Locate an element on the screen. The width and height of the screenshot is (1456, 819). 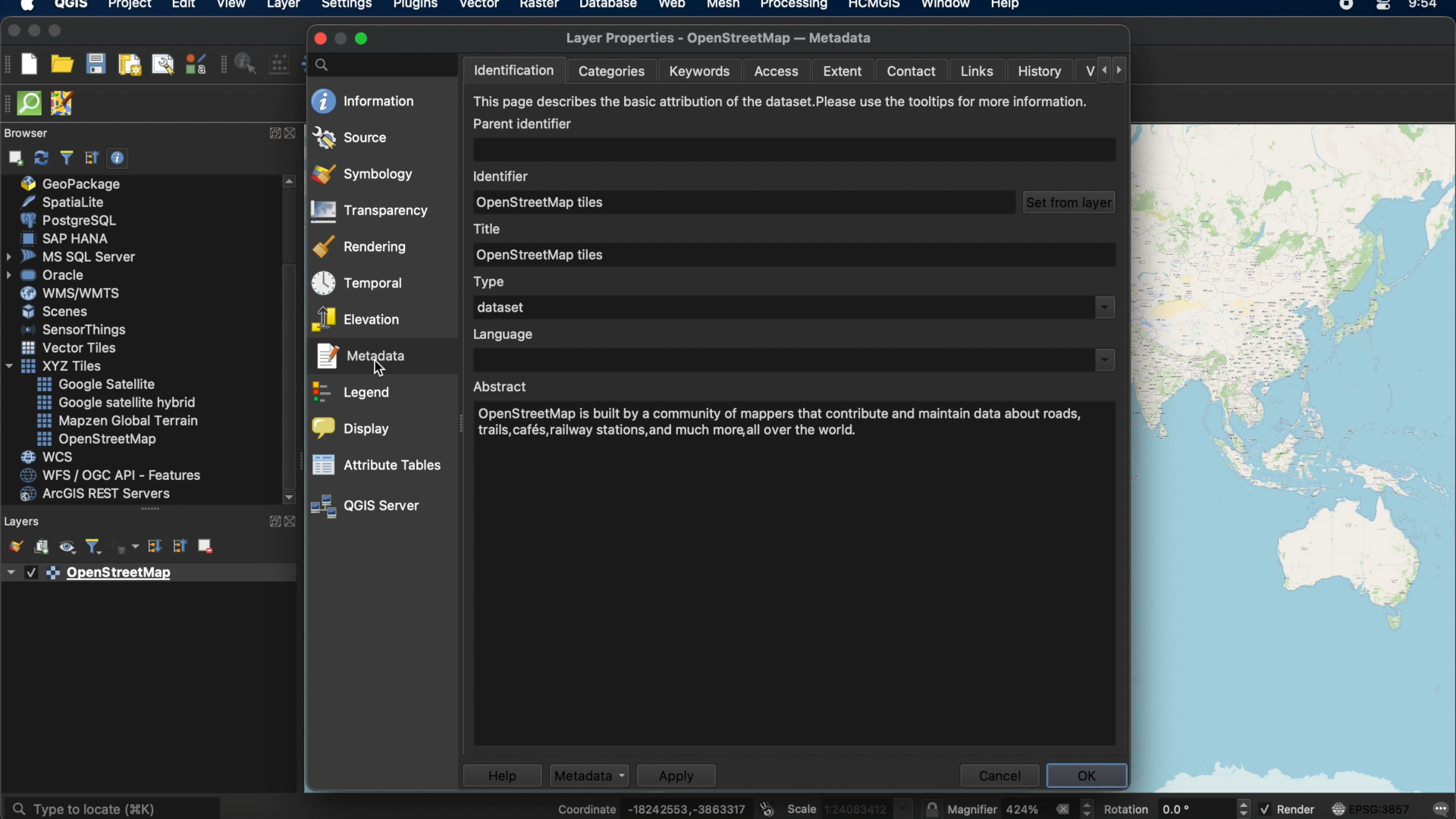
project toolbar is located at coordinates (11, 67).